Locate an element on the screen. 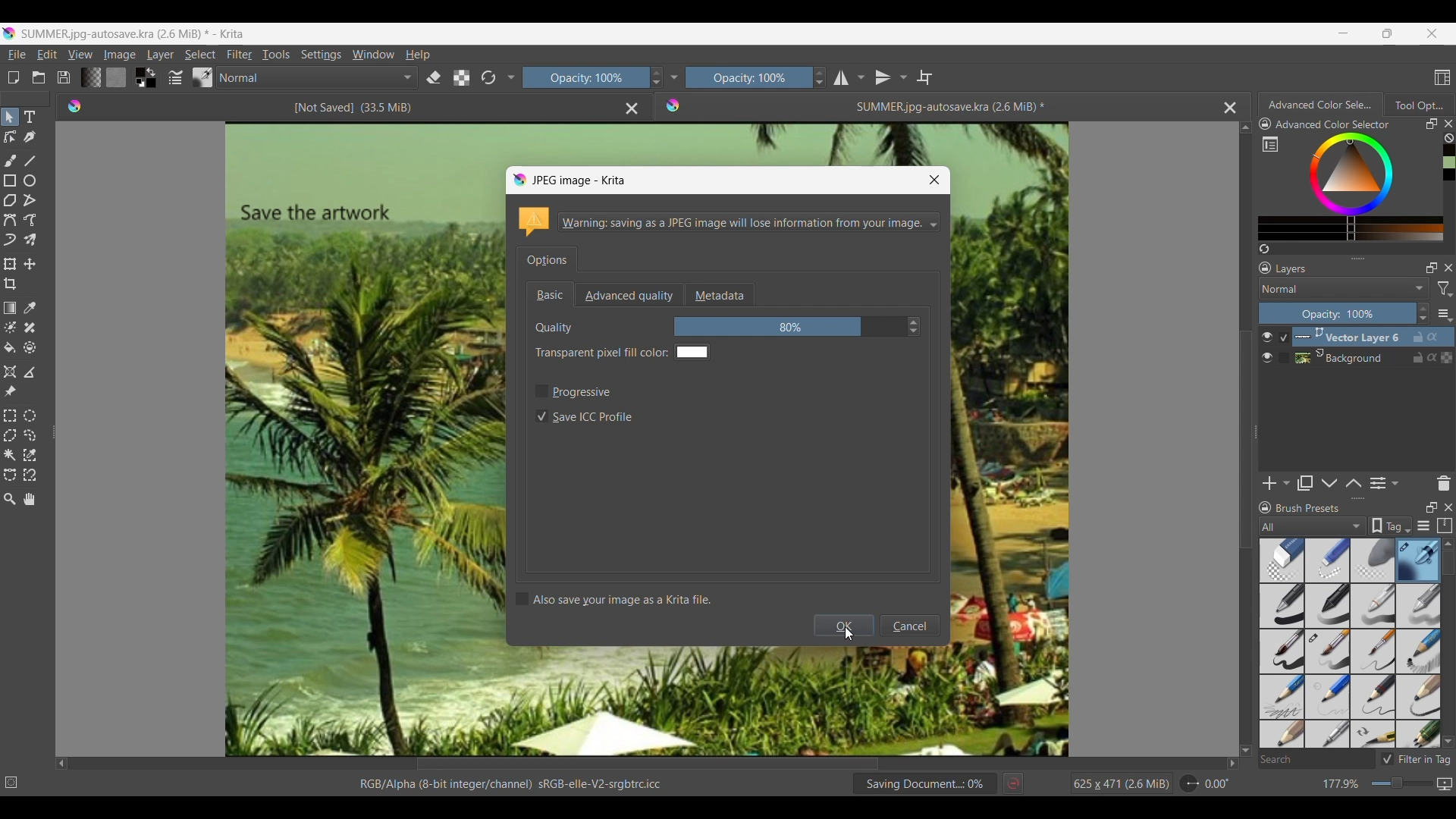 This screenshot has height=819, width=1456. Minimize is located at coordinates (1344, 33).